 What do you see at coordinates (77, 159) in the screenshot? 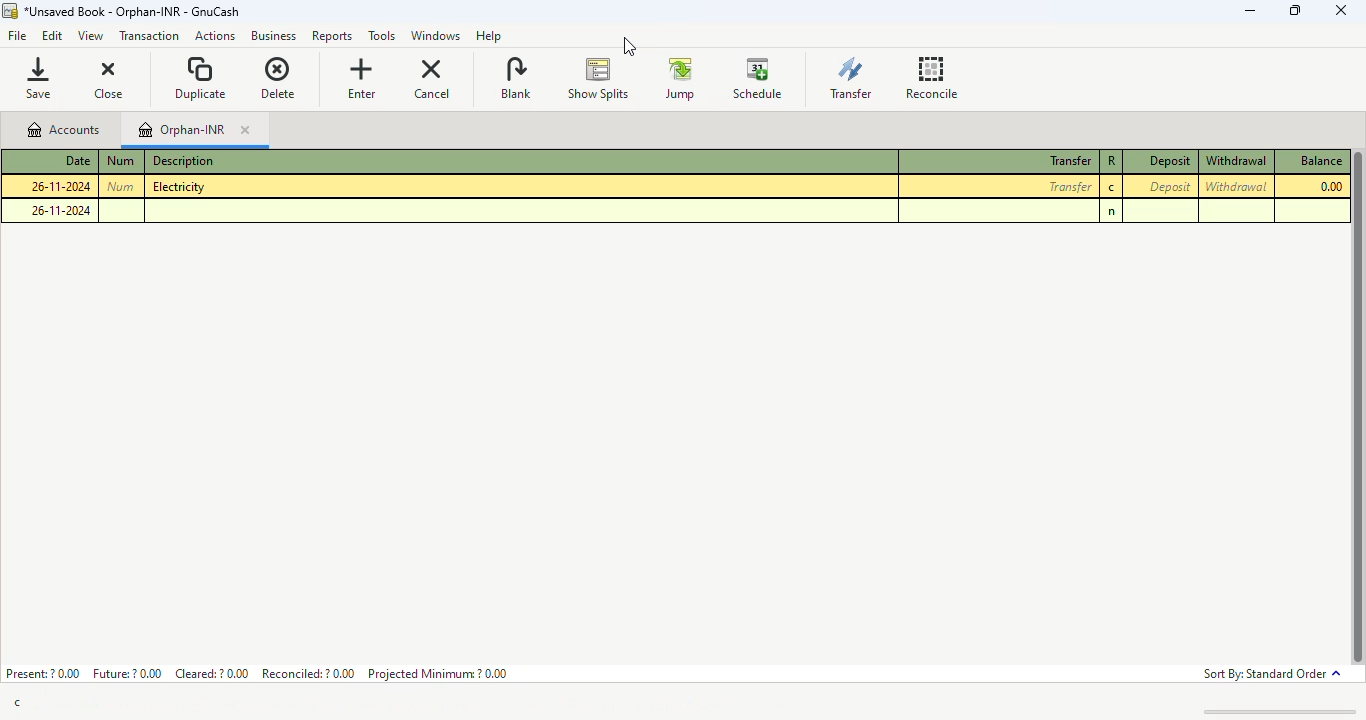
I see `date` at bounding box center [77, 159].